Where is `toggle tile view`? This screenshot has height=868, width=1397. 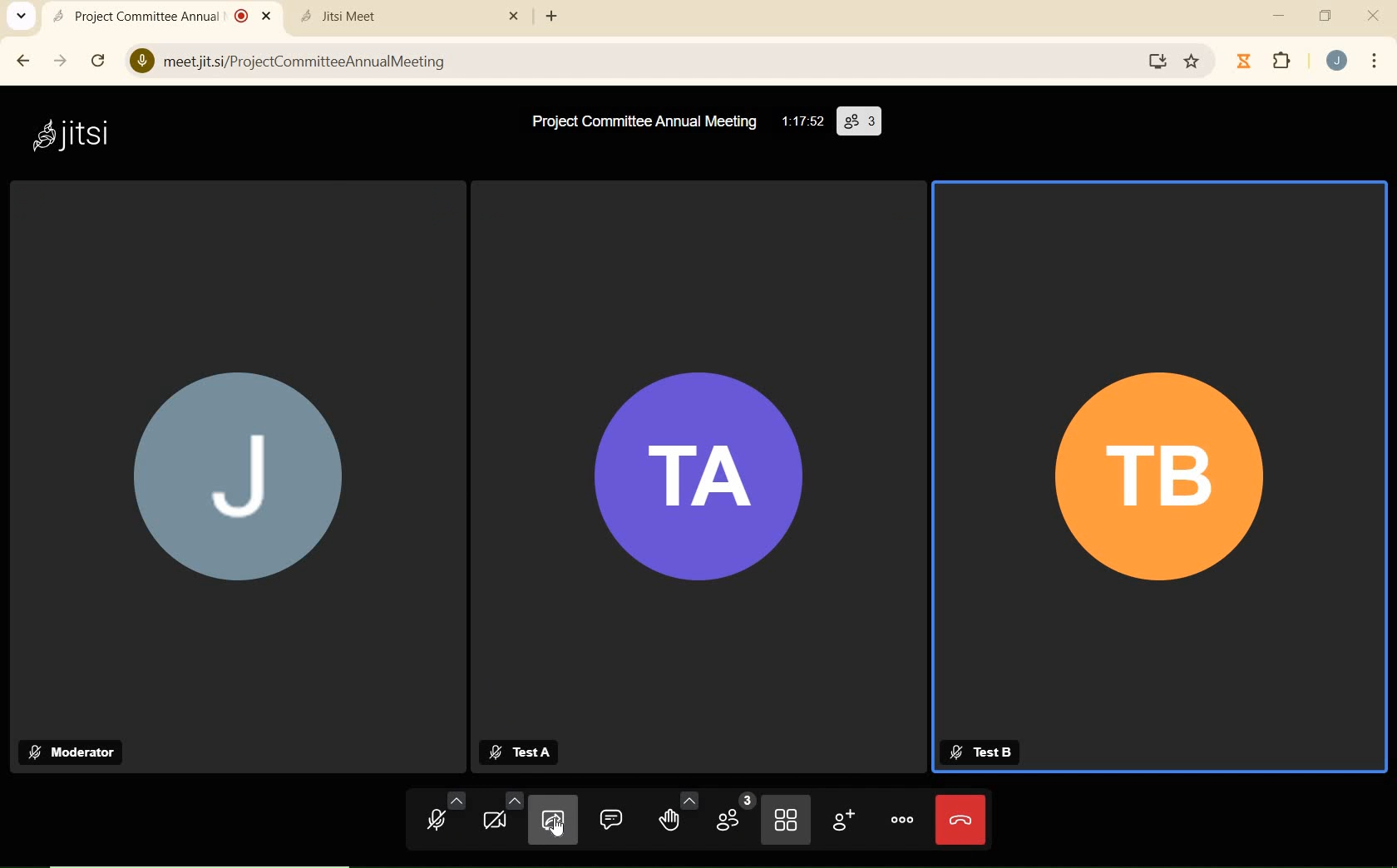 toggle tile view is located at coordinates (786, 822).